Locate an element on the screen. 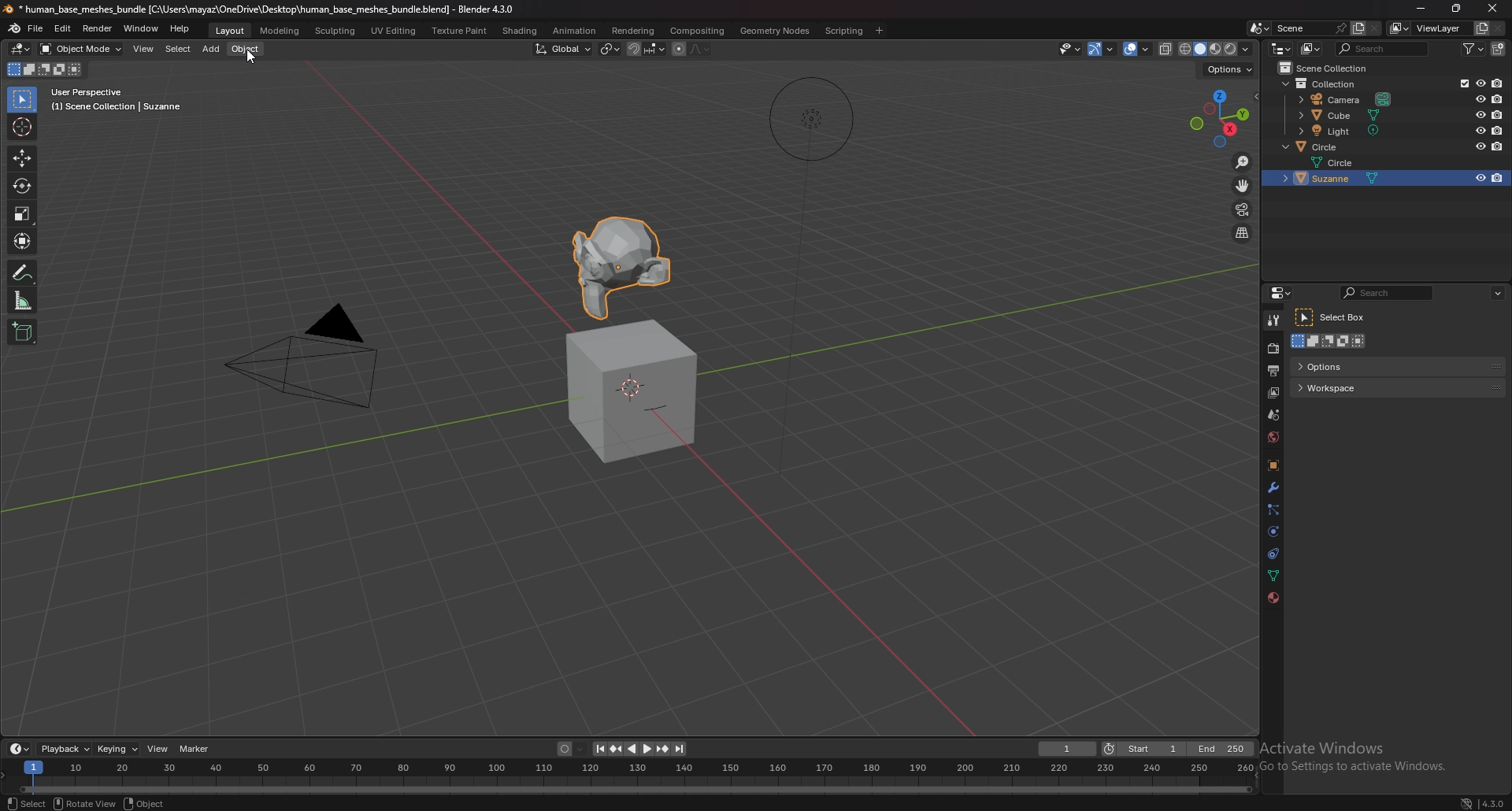 This screenshot has height=811, width=1512. start is located at coordinates (1144, 748).